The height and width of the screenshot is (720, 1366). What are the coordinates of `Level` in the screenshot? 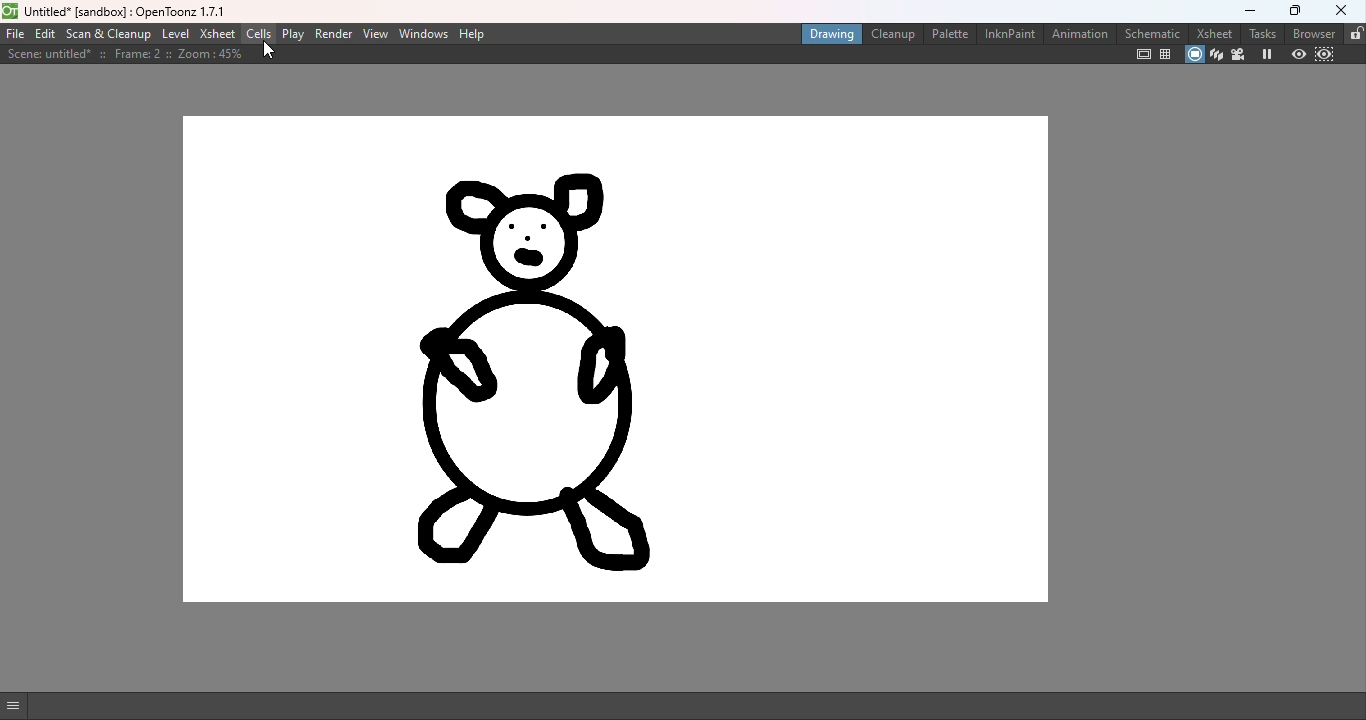 It's located at (175, 34).